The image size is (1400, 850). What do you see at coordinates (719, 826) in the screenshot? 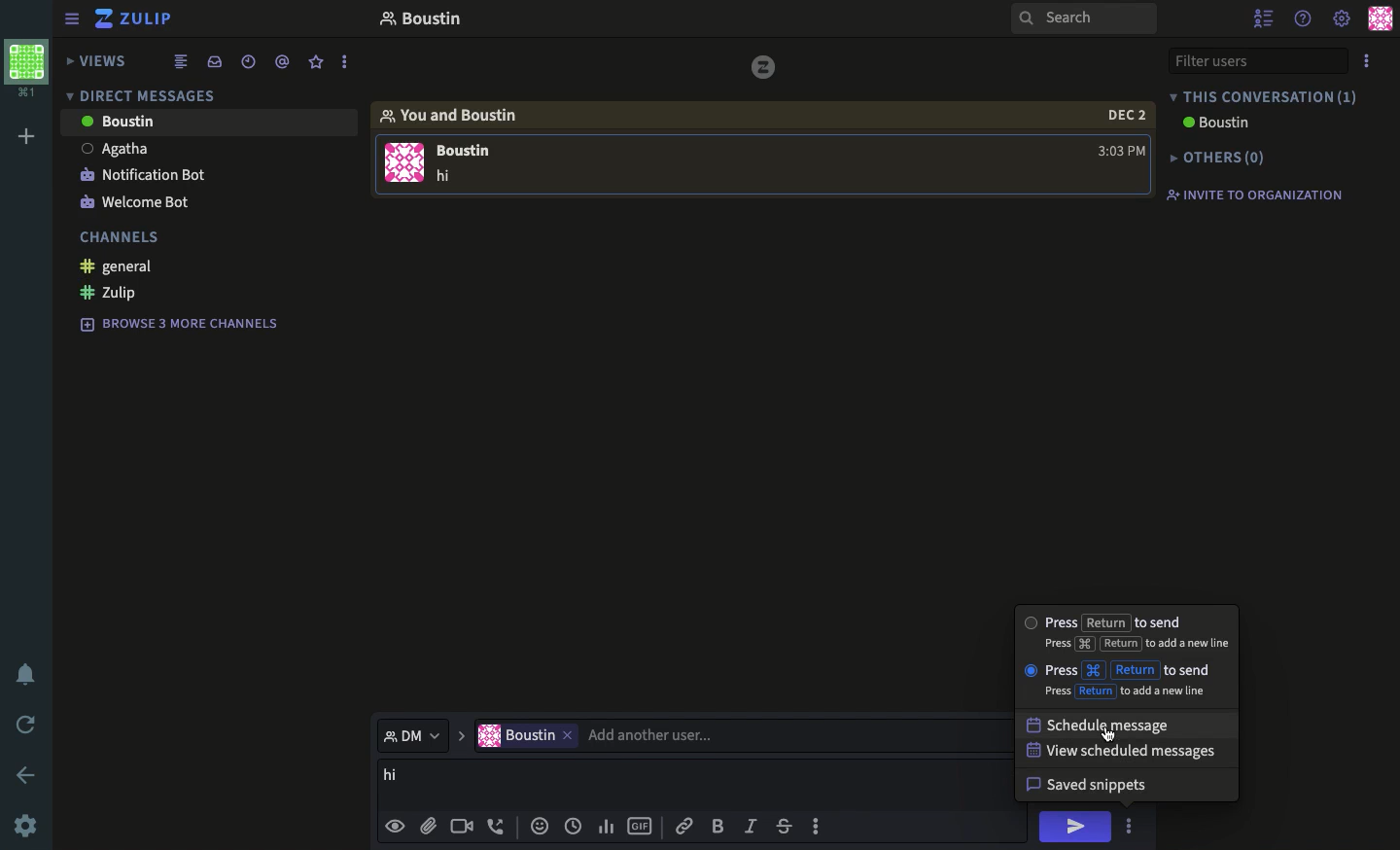
I see `bold` at bounding box center [719, 826].